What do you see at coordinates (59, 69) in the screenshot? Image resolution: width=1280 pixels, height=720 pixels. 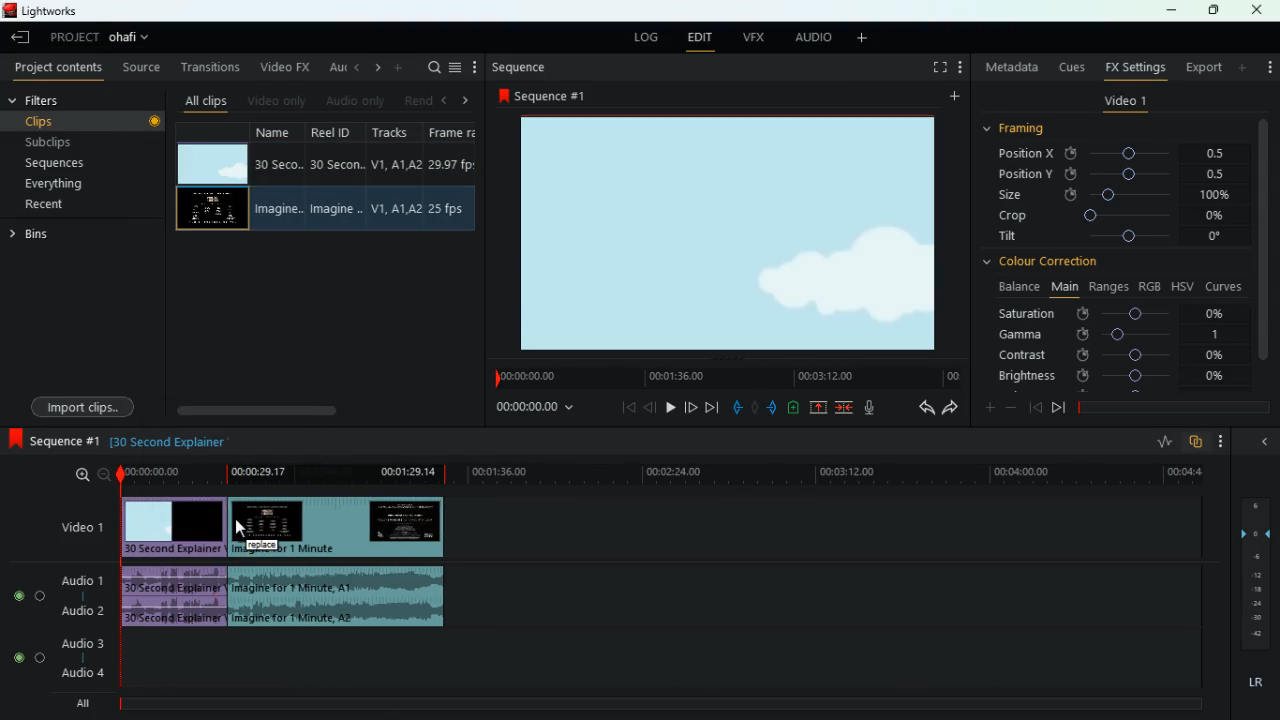 I see `project content` at bounding box center [59, 69].